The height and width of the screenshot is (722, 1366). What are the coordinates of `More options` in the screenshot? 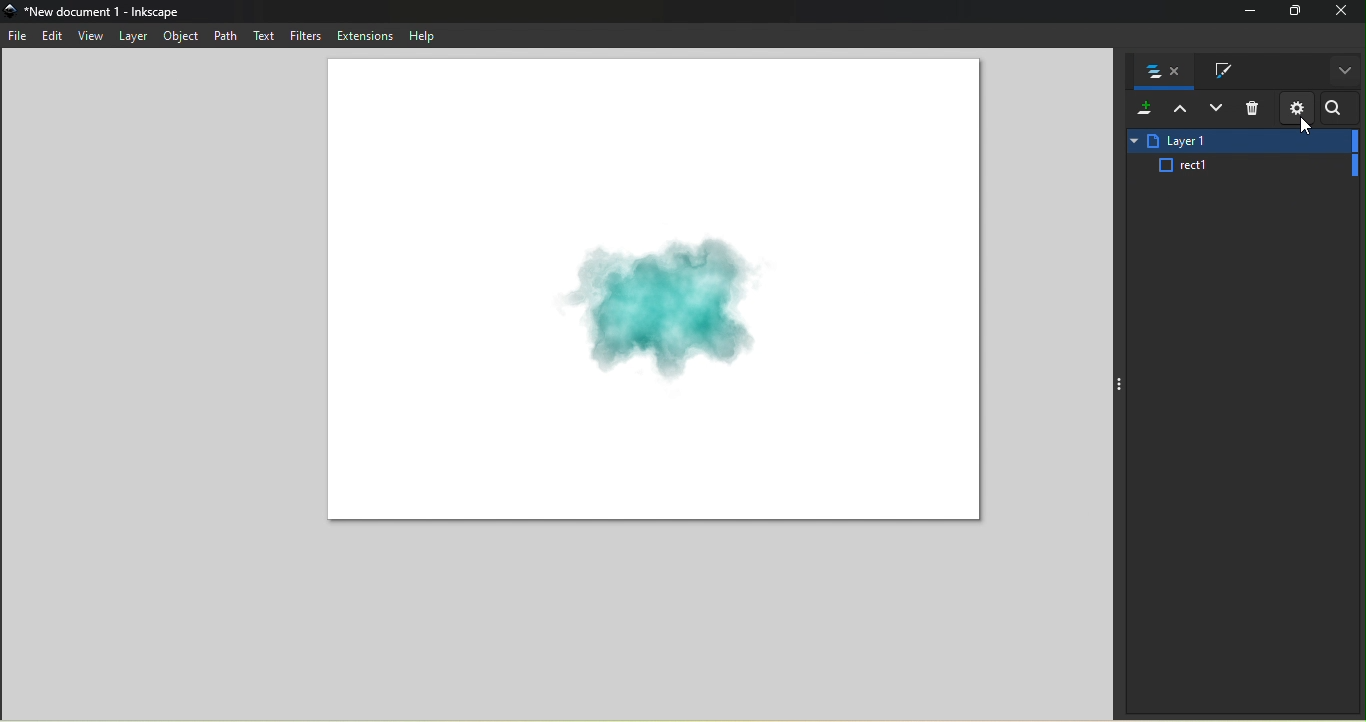 It's located at (1343, 73).